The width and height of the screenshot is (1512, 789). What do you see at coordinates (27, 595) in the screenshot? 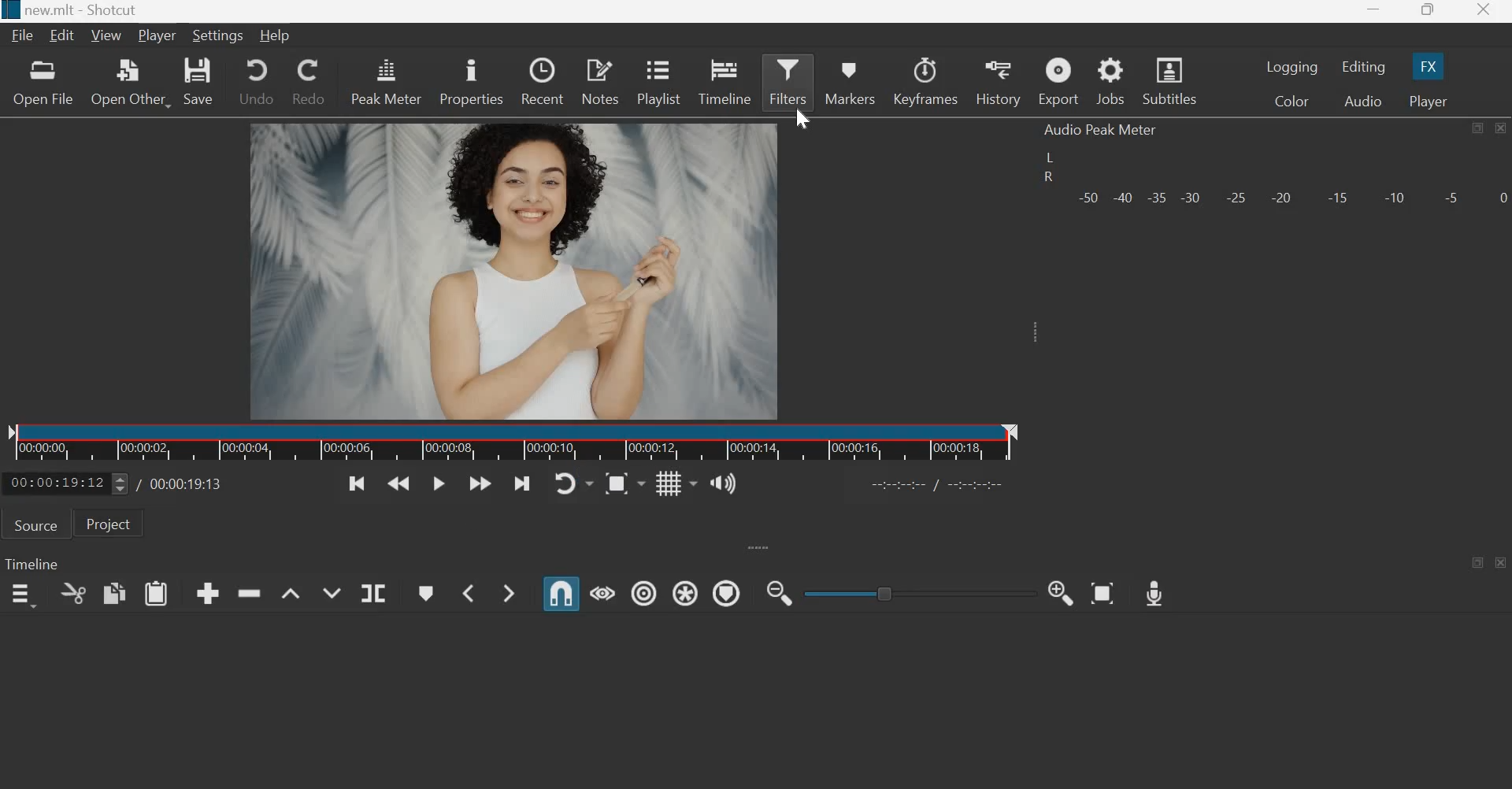
I see `timeline menu` at bounding box center [27, 595].